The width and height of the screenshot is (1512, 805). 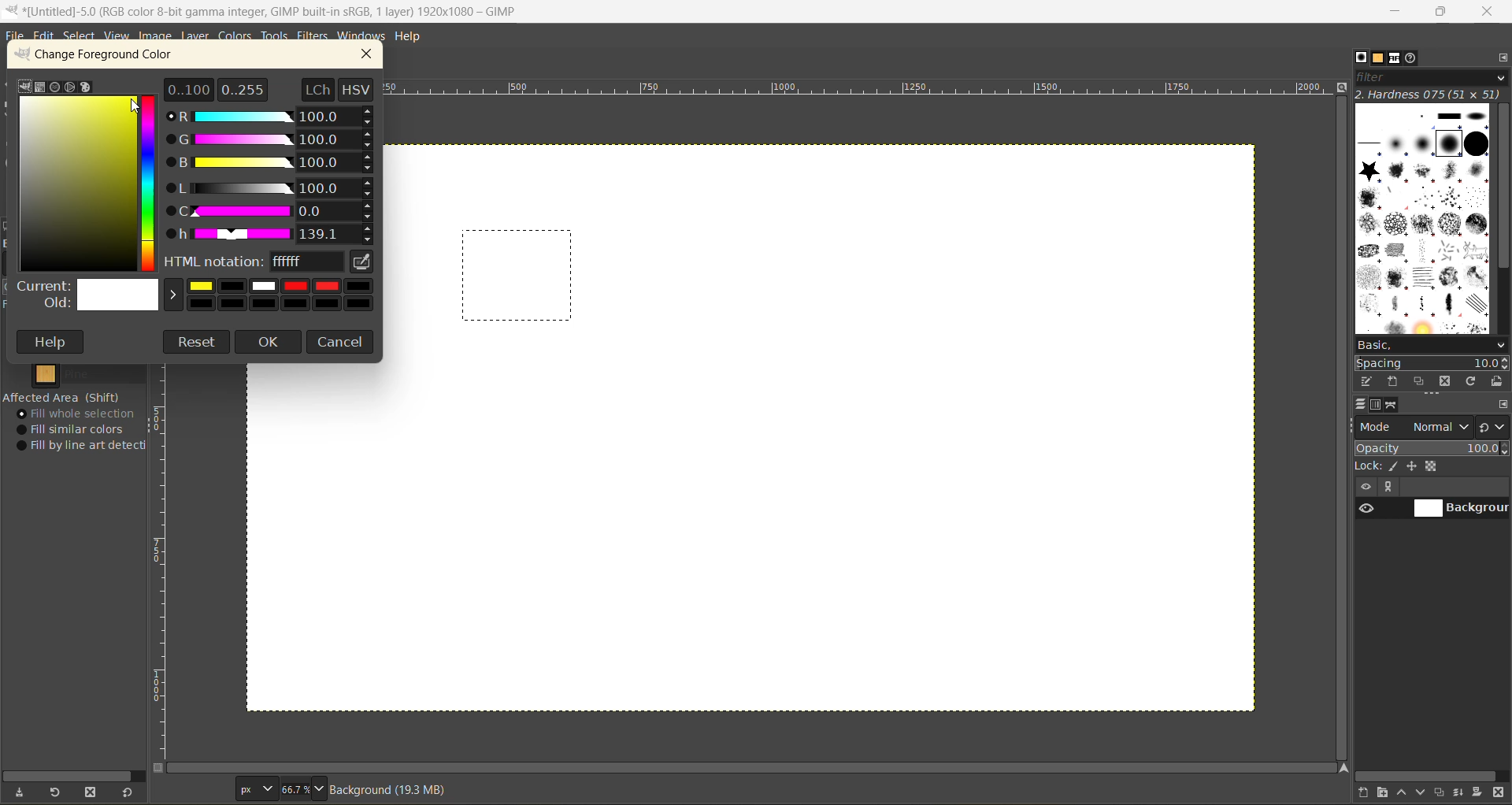 What do you see at coordinates (81, 414) in the screenshot?
I see `fill whole selection` at bounding box center [81, 414].